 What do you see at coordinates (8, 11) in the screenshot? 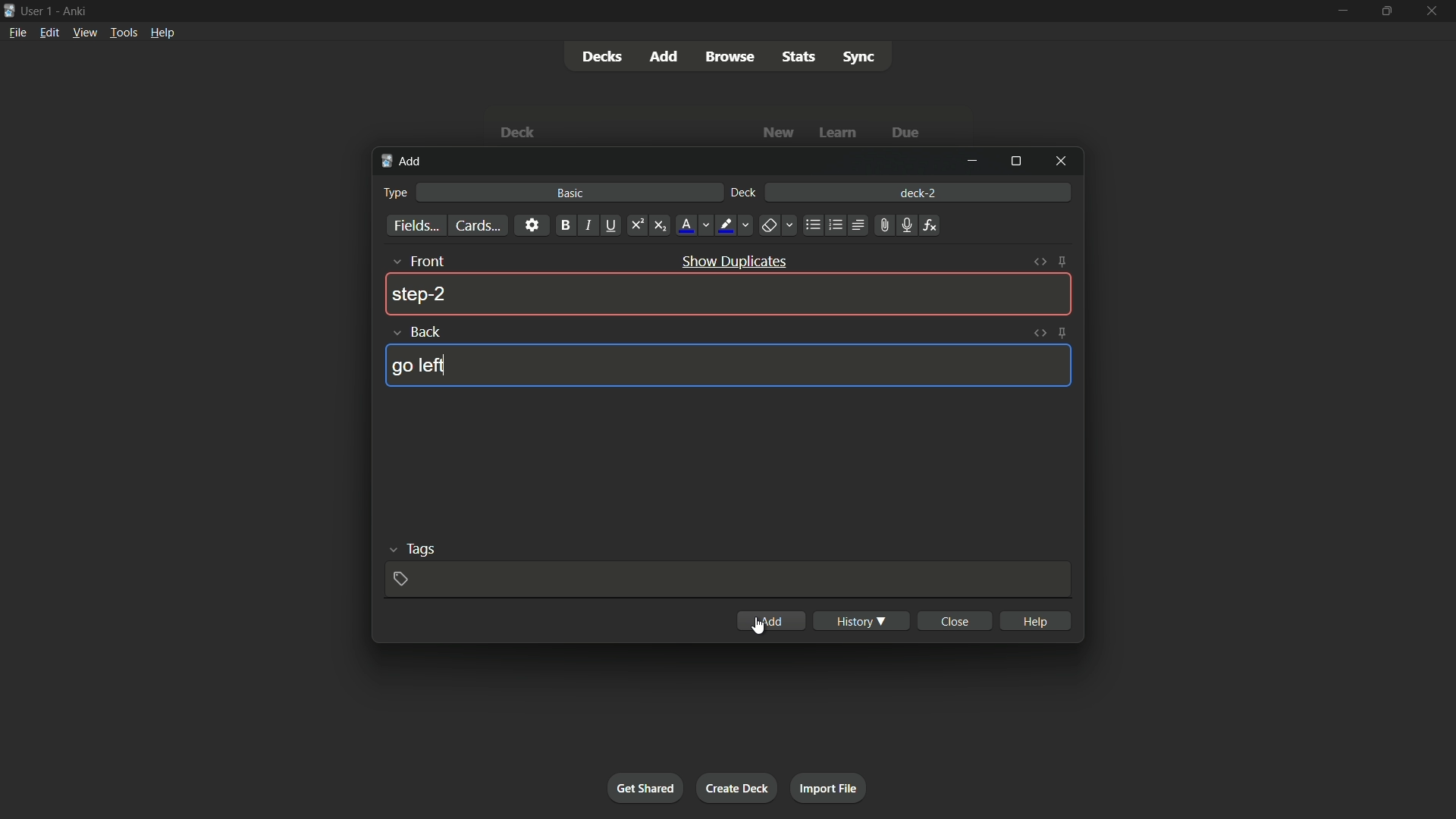
I see `app icon` at bounding box center [8, 11].